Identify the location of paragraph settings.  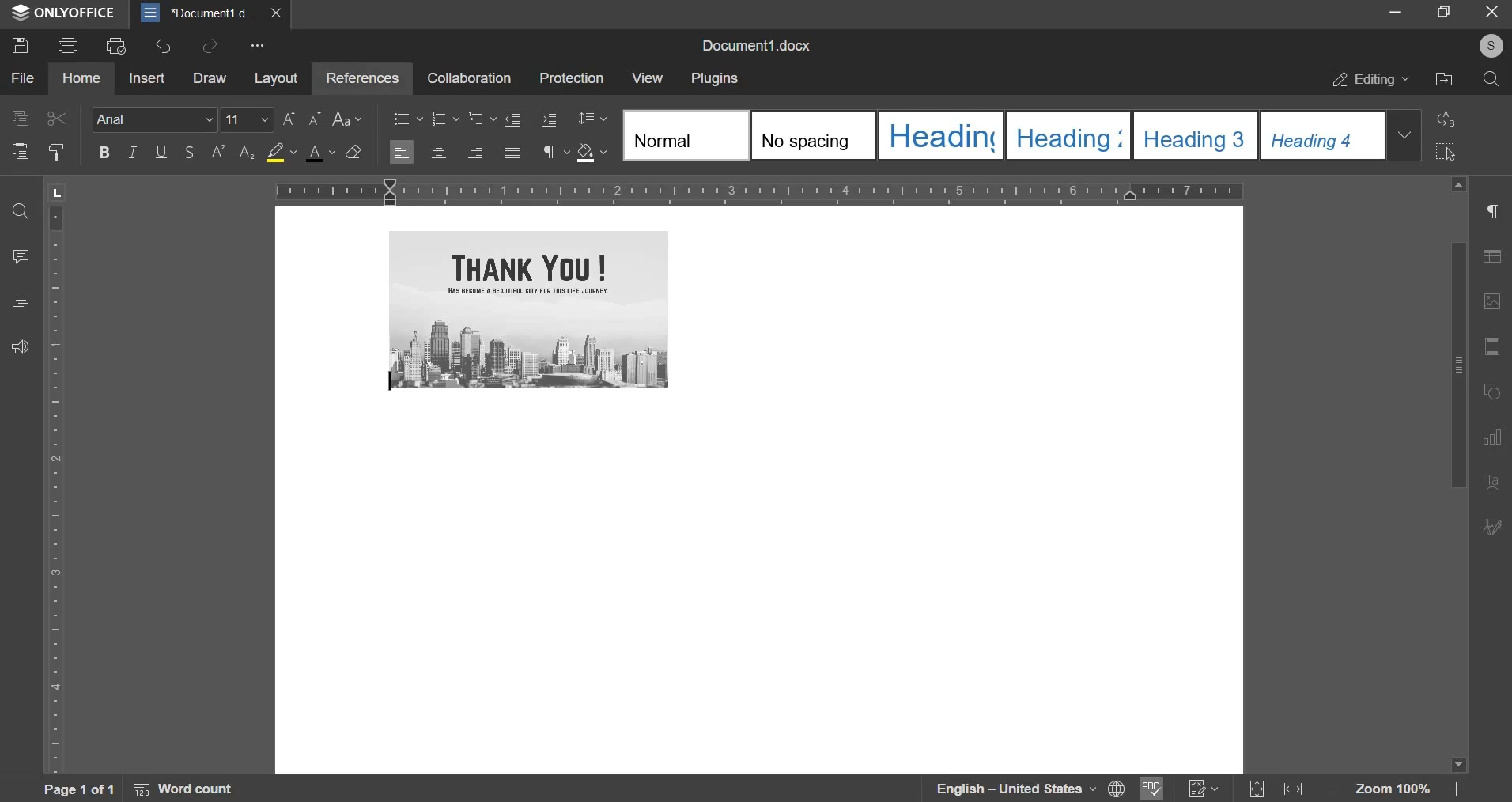
(550, 150).